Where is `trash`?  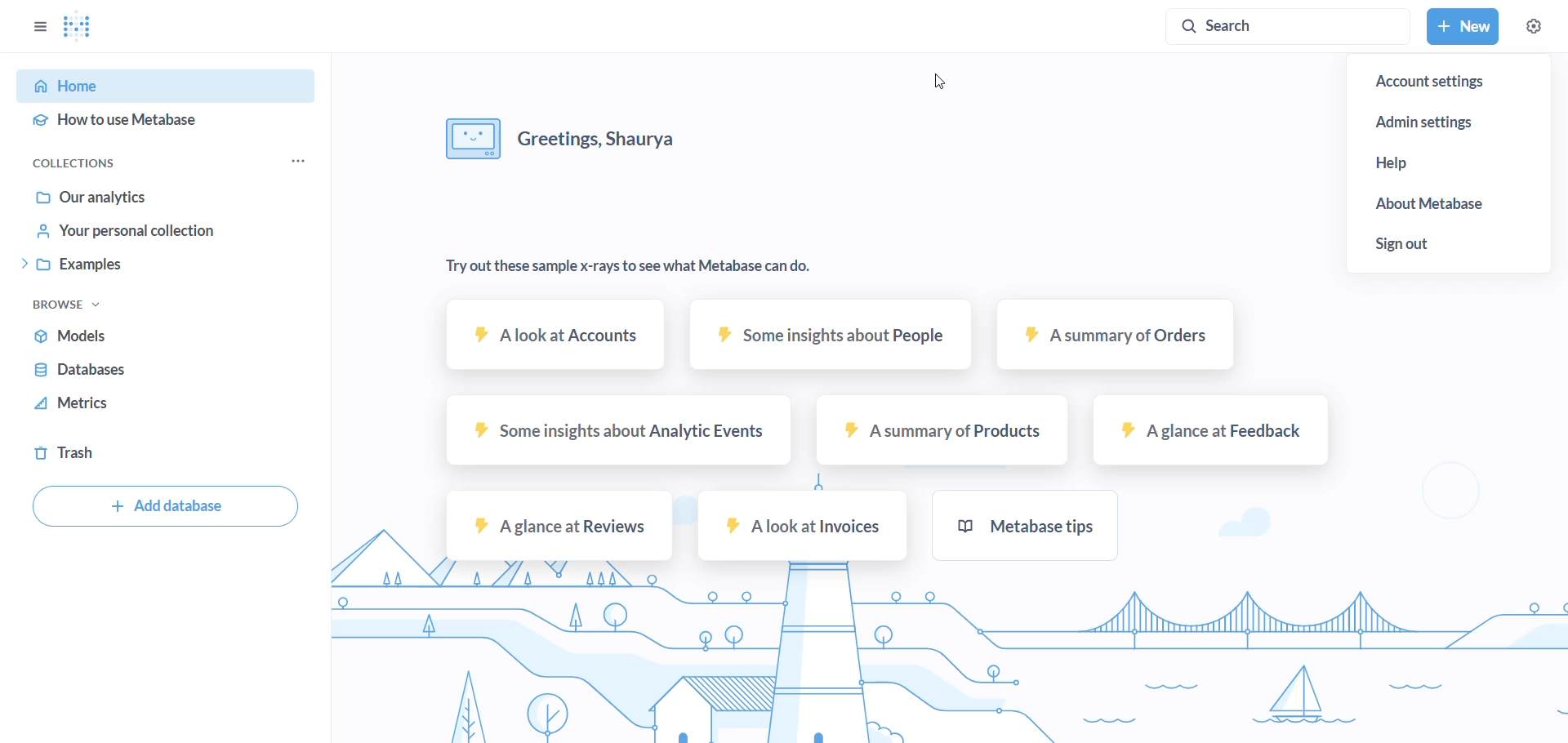 trash is located at coordinates (78, 452).